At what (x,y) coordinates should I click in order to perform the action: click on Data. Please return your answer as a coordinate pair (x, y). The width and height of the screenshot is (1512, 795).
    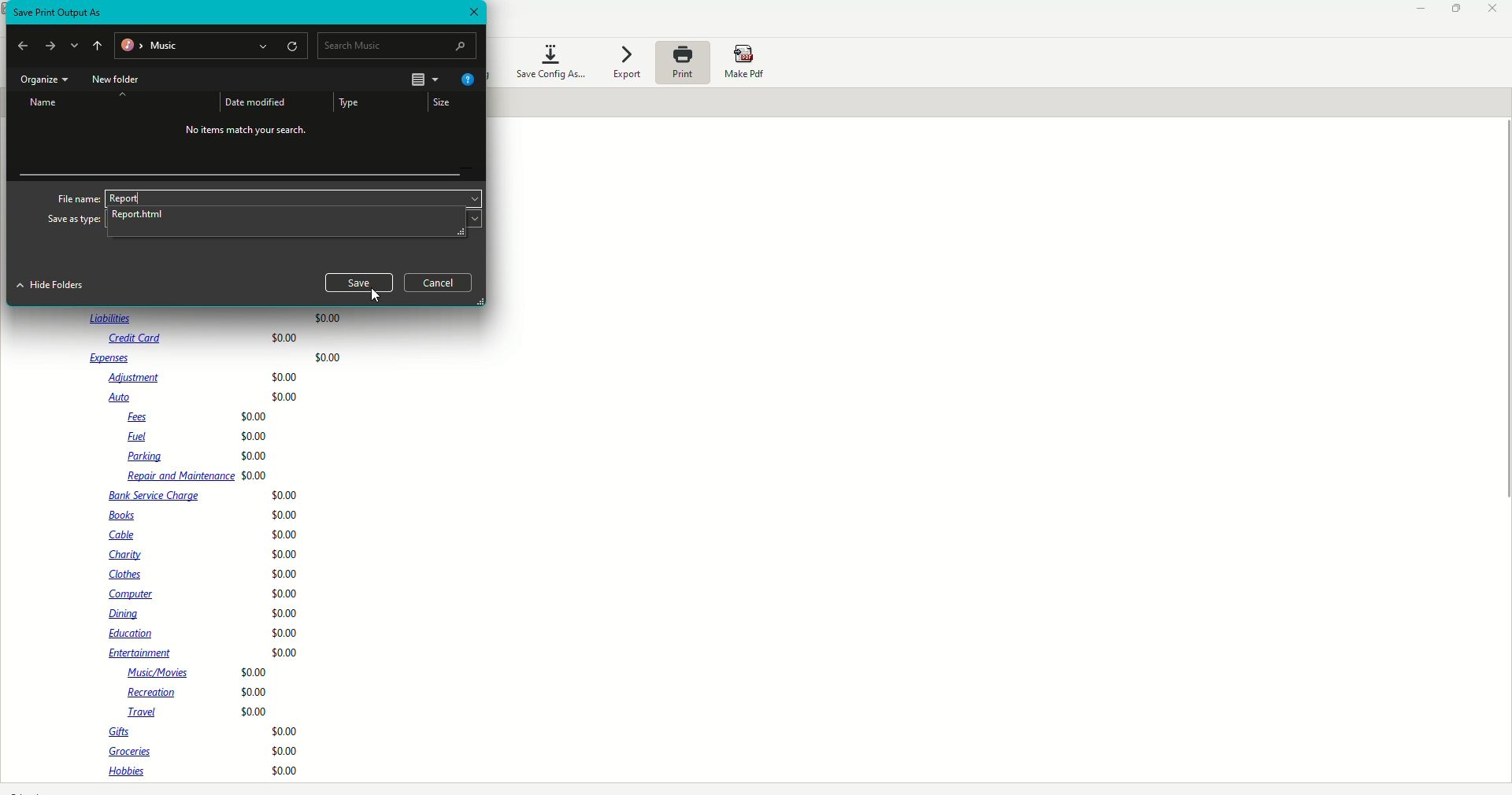
    Looking at the image, I should click on (224, 546).